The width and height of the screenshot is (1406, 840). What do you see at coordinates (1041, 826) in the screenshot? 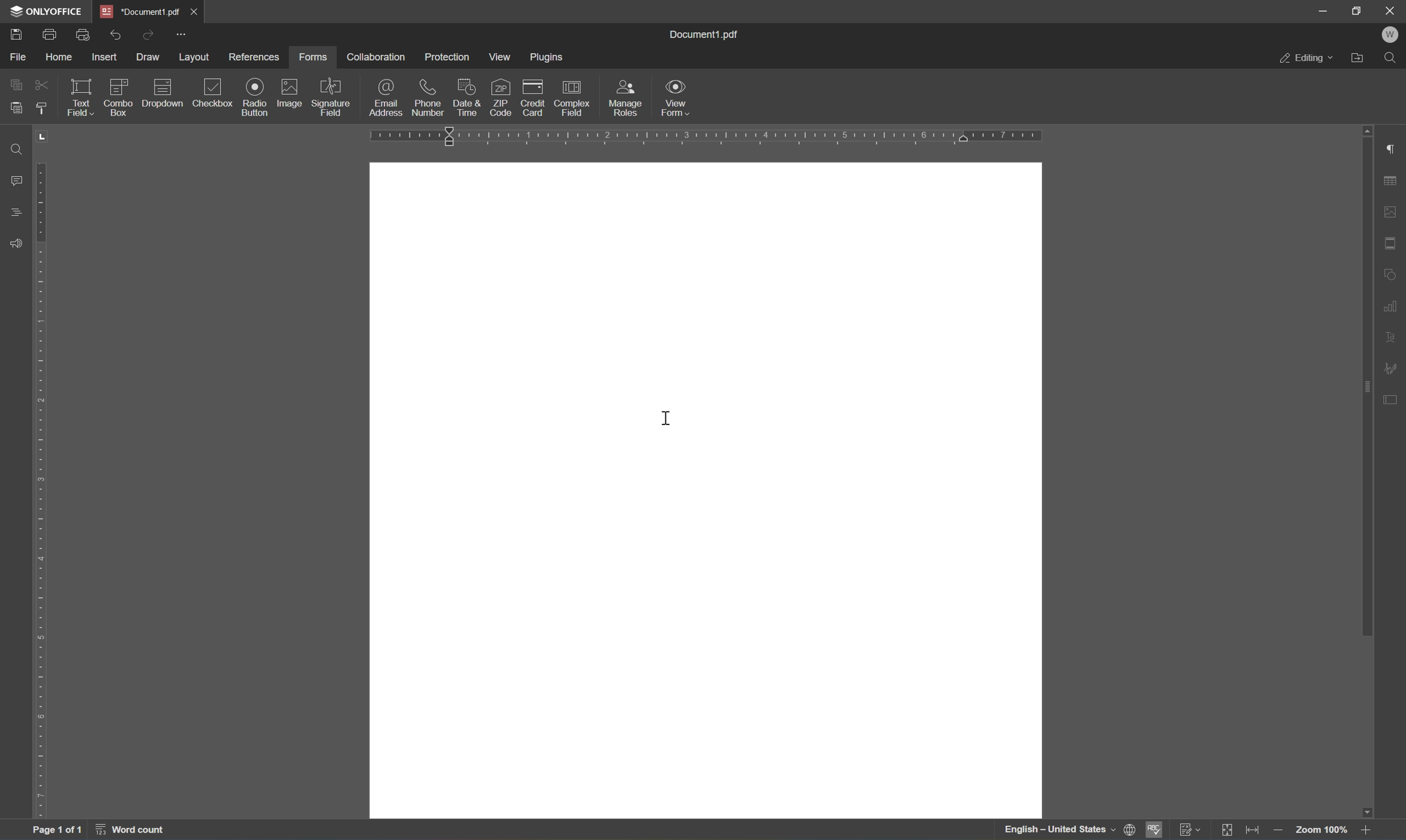
I see `english - united states` at bounding box center [1041, 826].